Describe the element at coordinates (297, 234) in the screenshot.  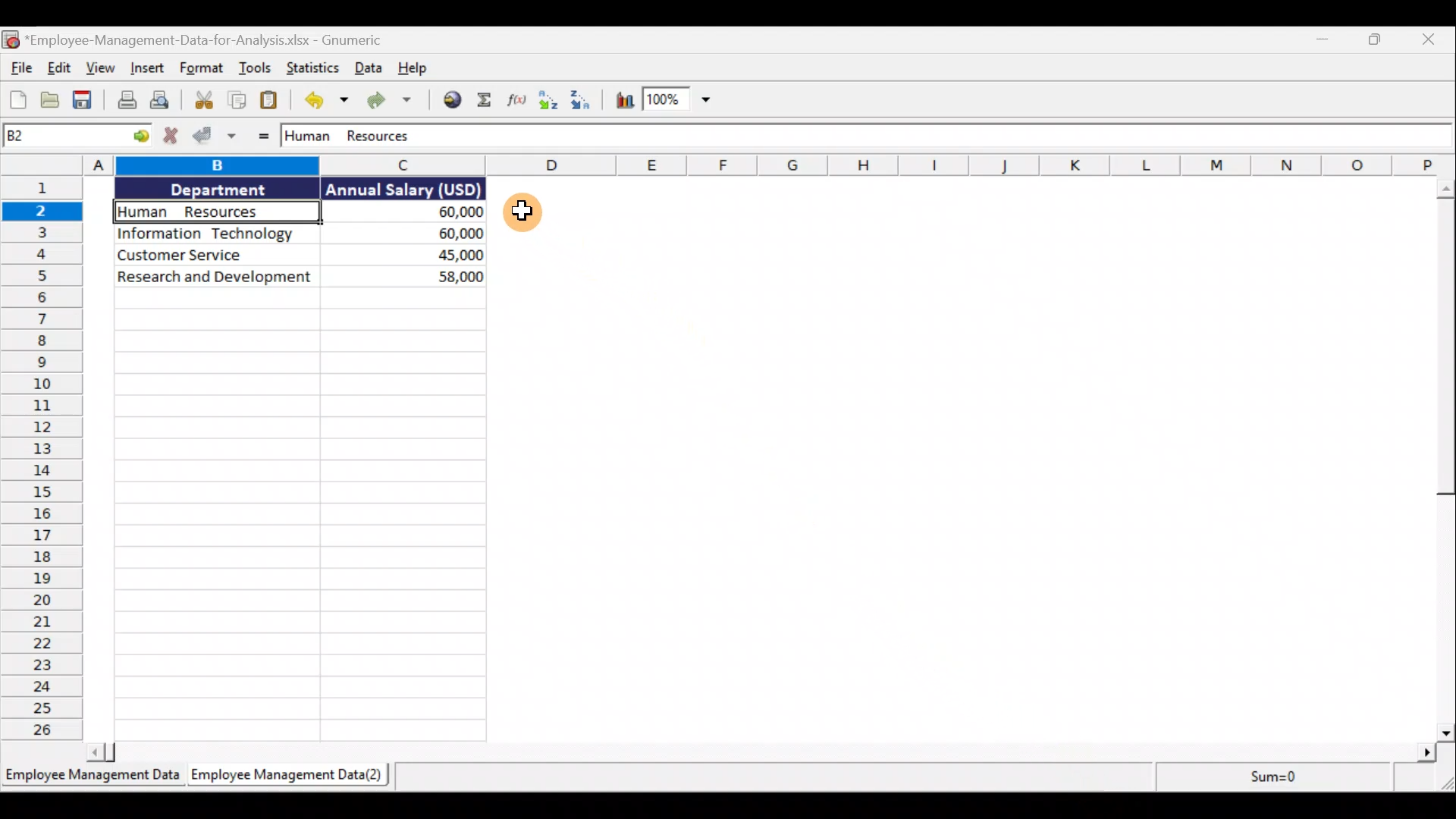
I see `Data` at that location.